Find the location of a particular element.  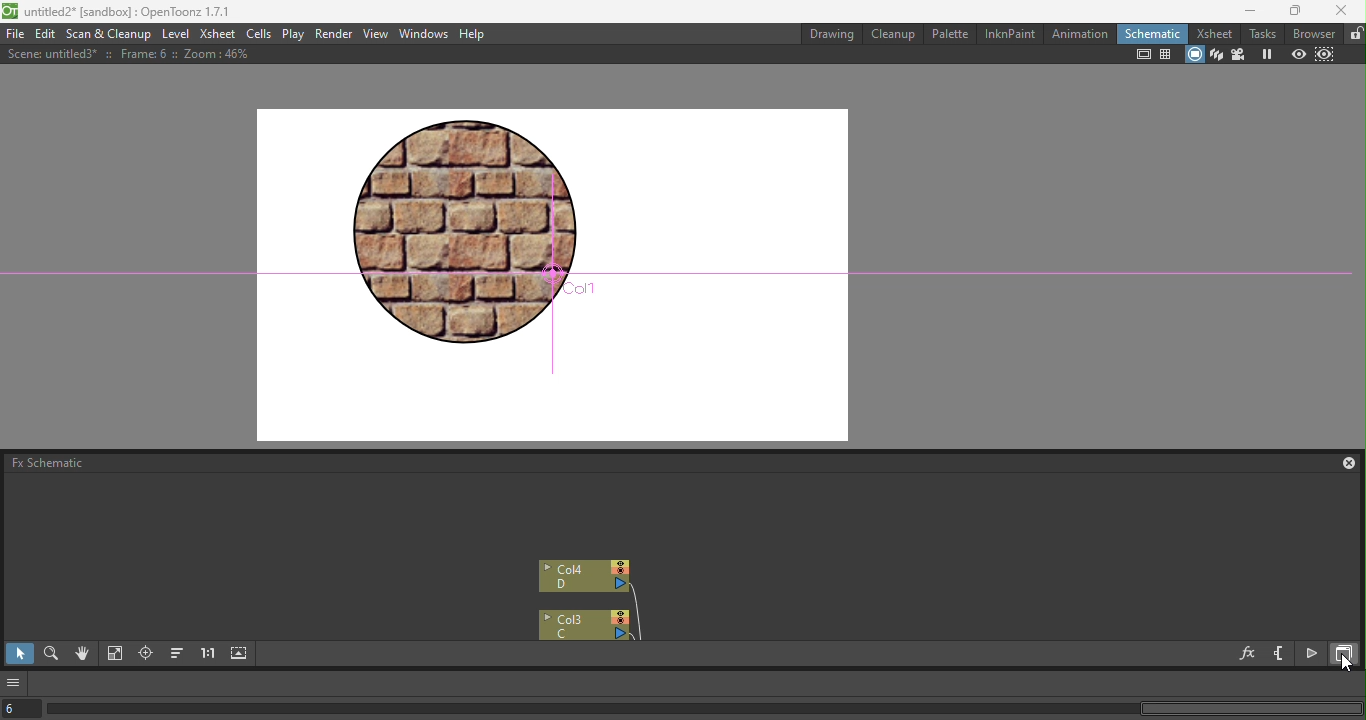

Maximize nodes is located at coordinates (240, 655).